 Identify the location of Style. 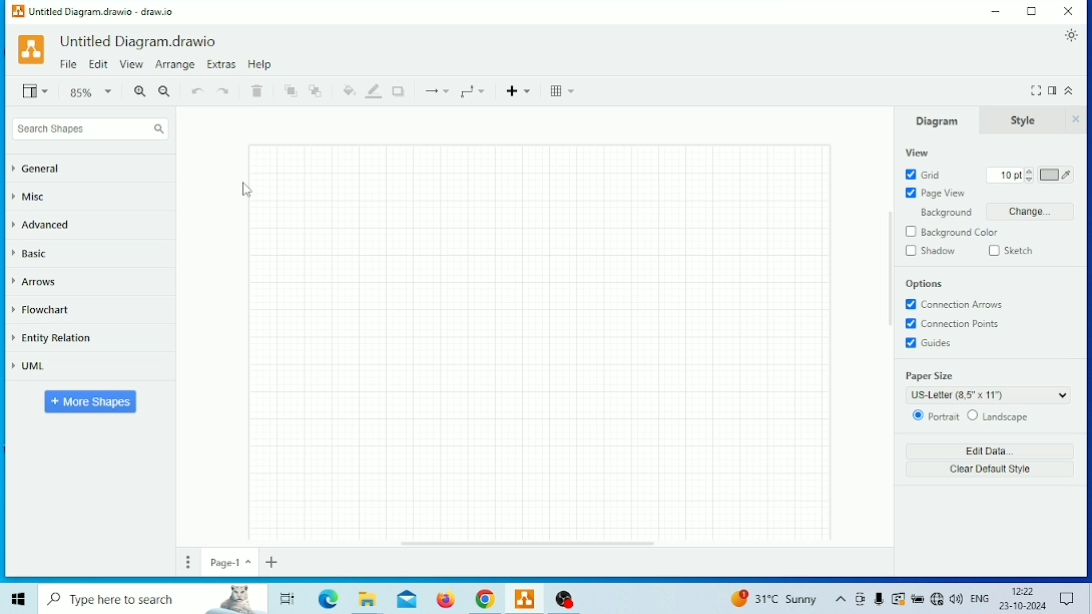
(1021, 120).